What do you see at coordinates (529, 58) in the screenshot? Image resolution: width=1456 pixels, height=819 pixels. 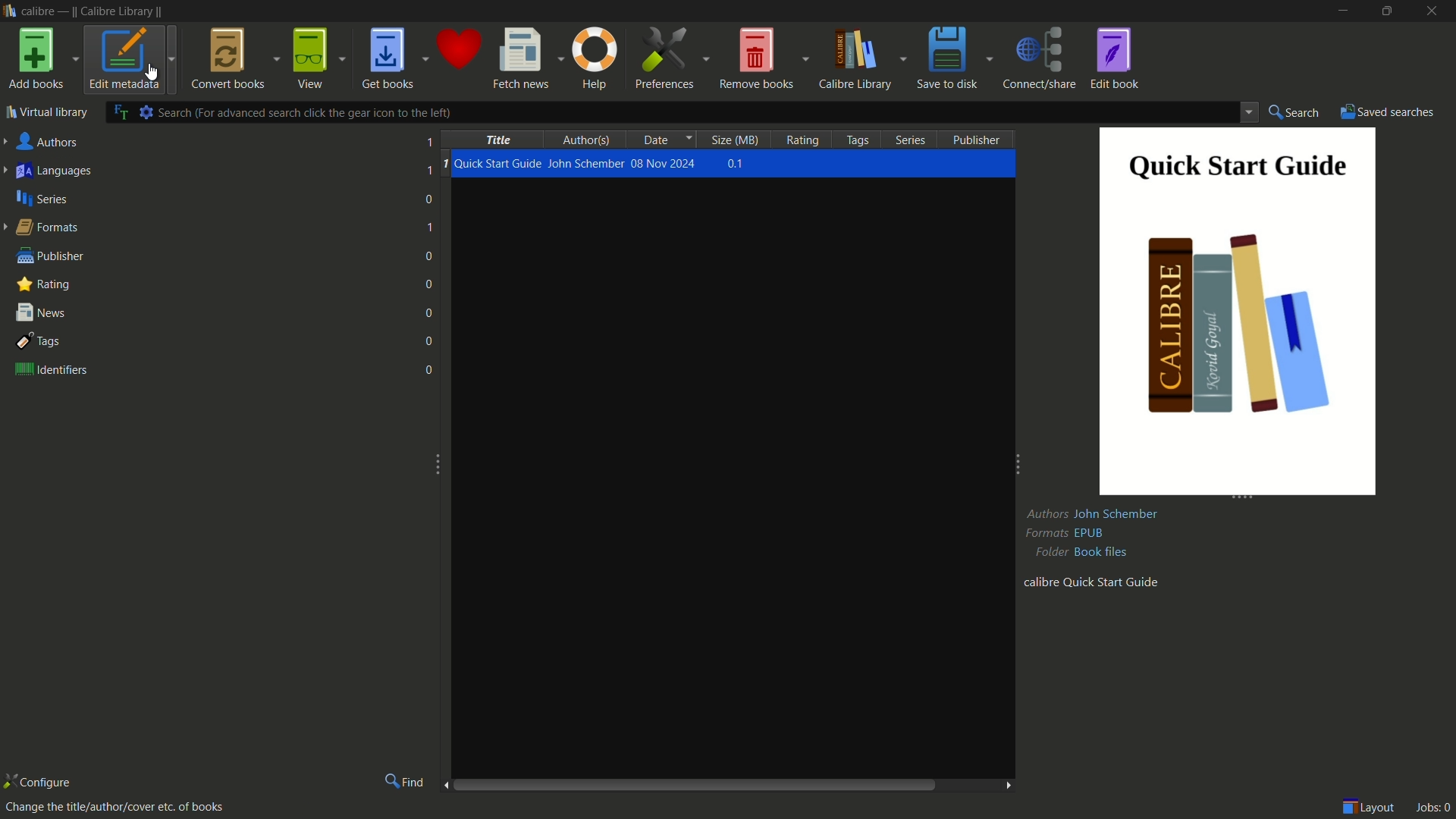 I see `fetch news` at bounding box center [529, 58].